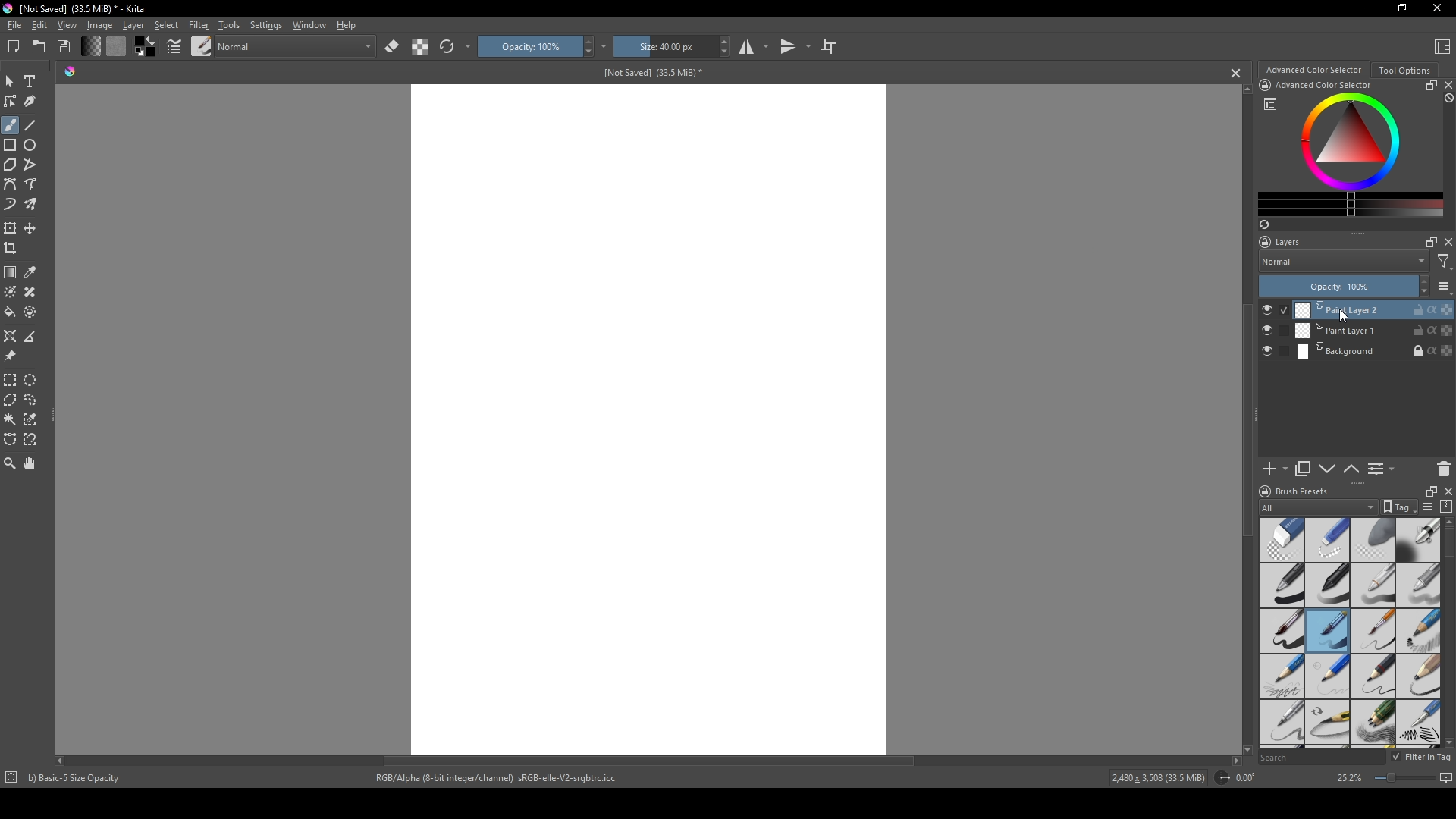  What do you see at coordinates (11, 146) in the screenshot?
I see `rectangle` at bounding box center [11, 146].